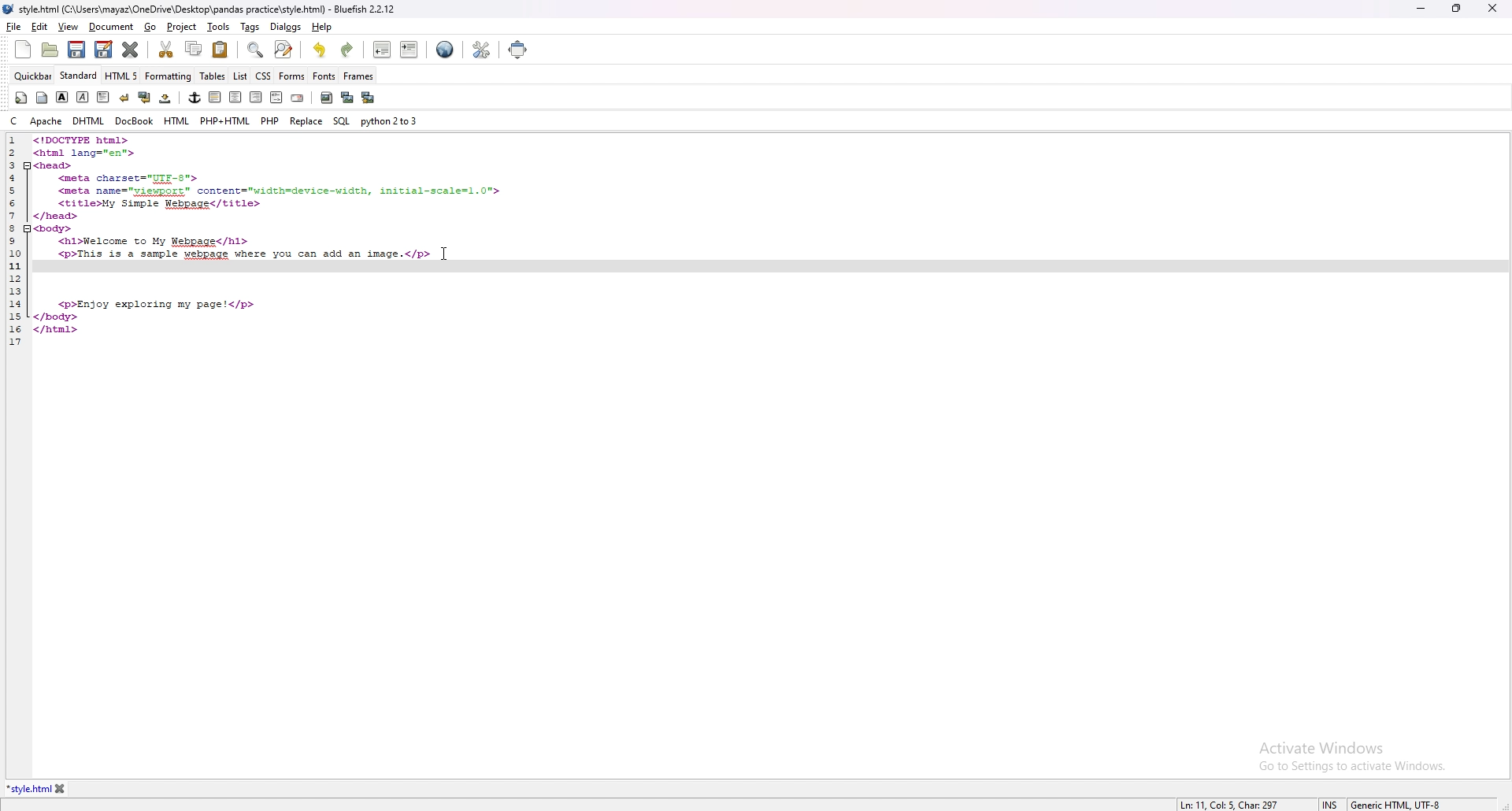 Image resolution: width=1512 pixels, height=811 pixels. I want to click on frames, so click(358, 76).